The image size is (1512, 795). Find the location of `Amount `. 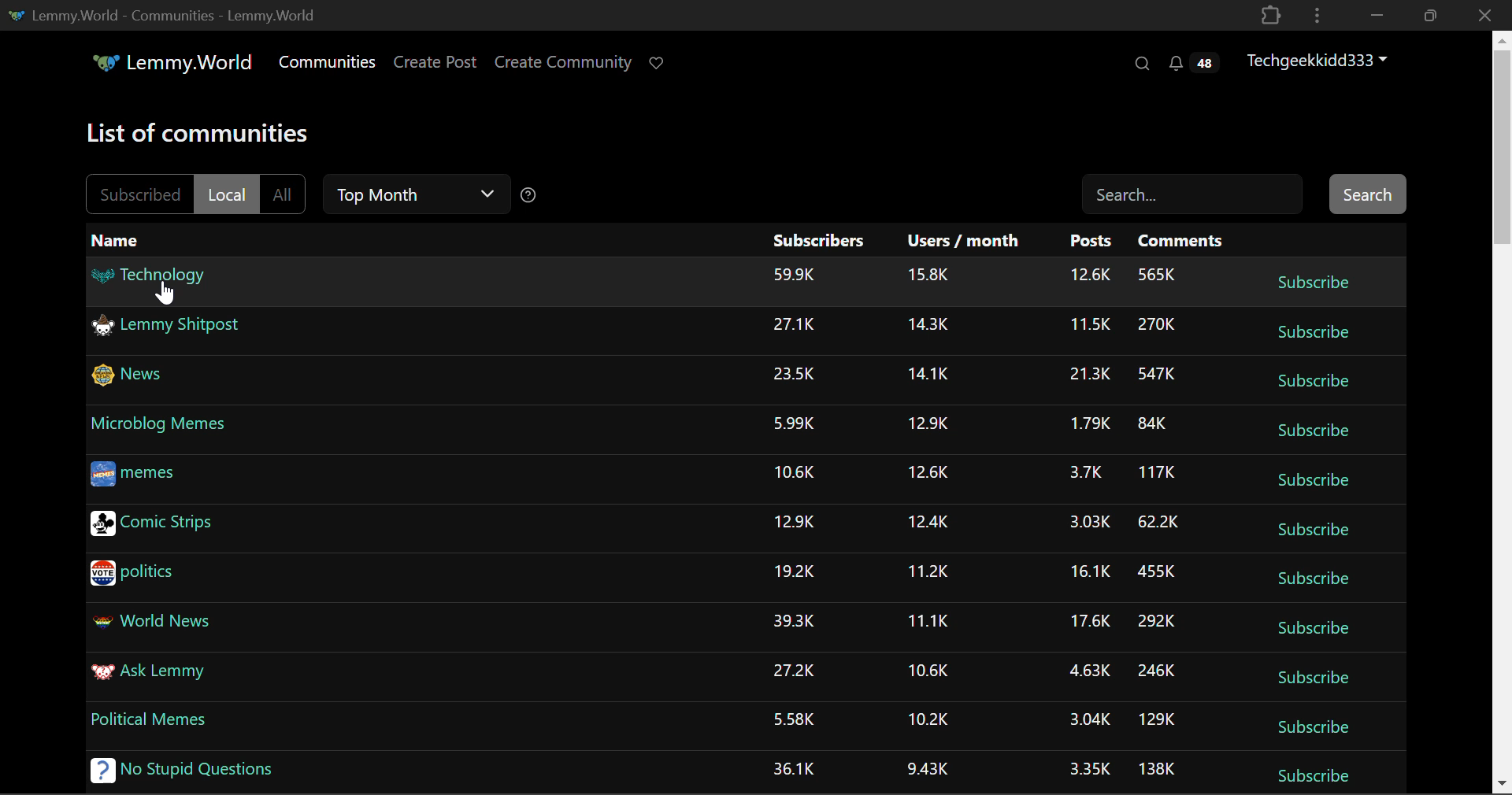

Amount  is located at coordinates (1156, 768).